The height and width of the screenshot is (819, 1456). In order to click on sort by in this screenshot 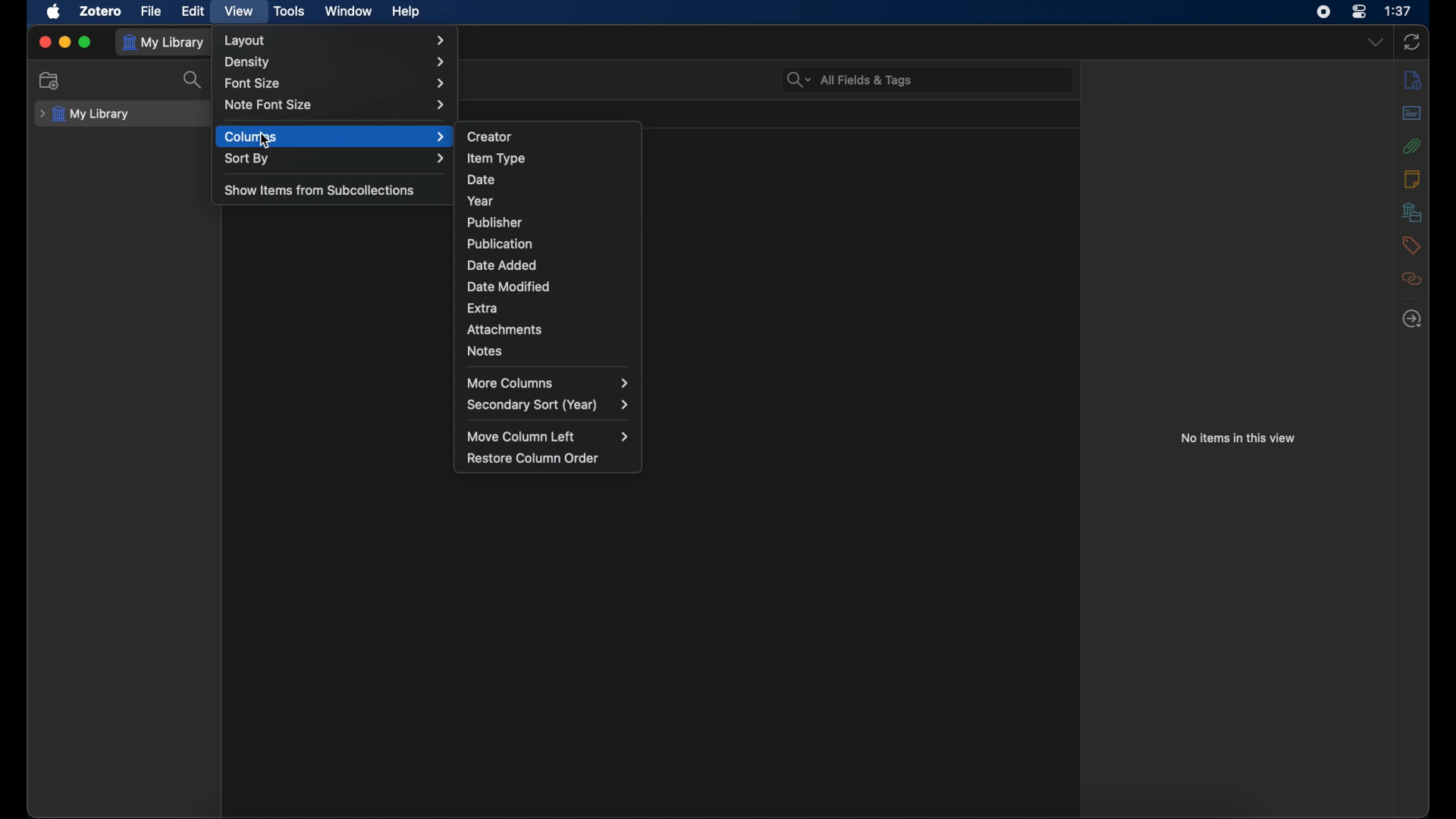, I will do `click(335, 158)`.